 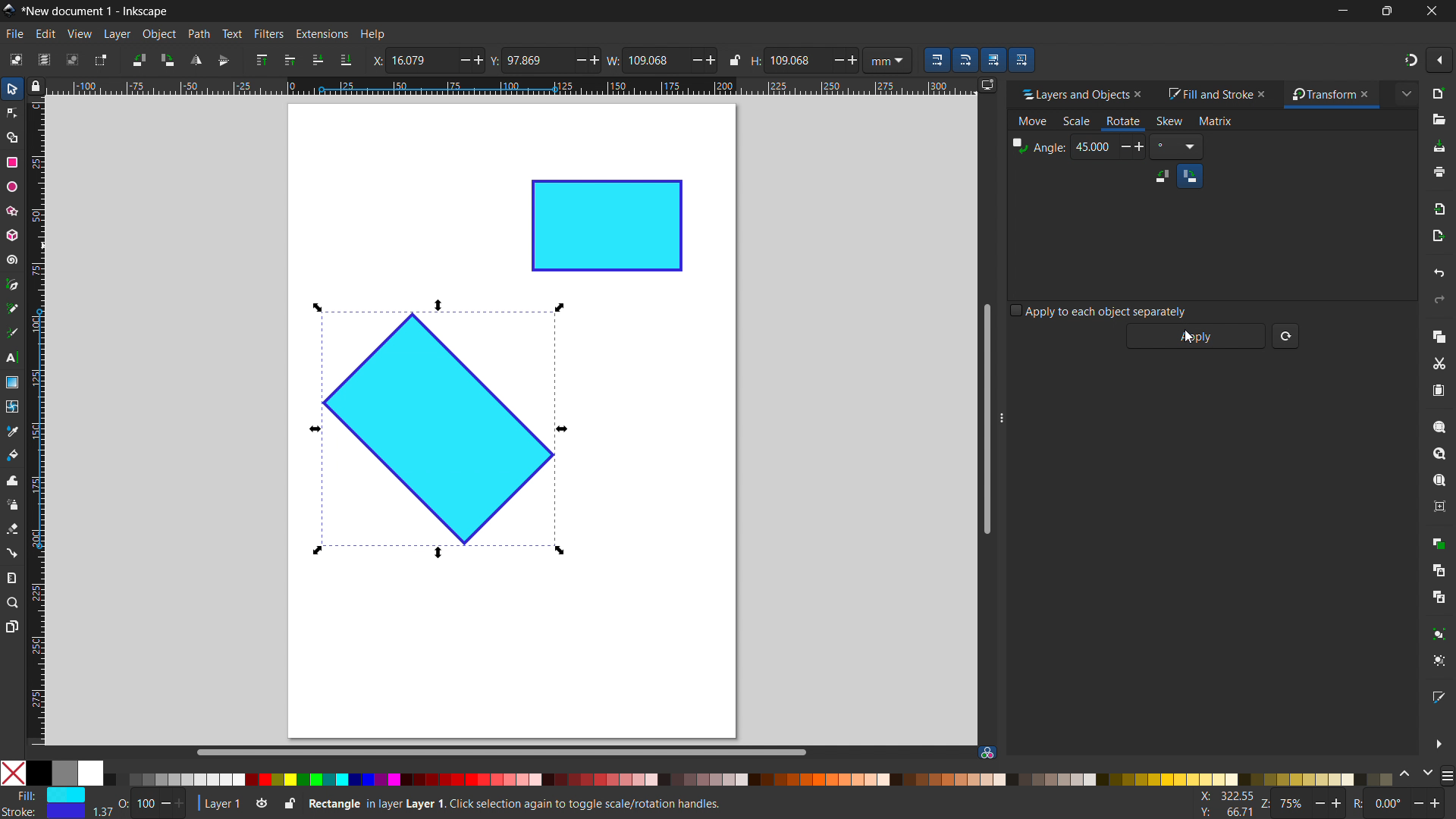 What do you see at coordinates (1439, 120) in the screenshot?
I see `open` at bounding box center [1439, 120].